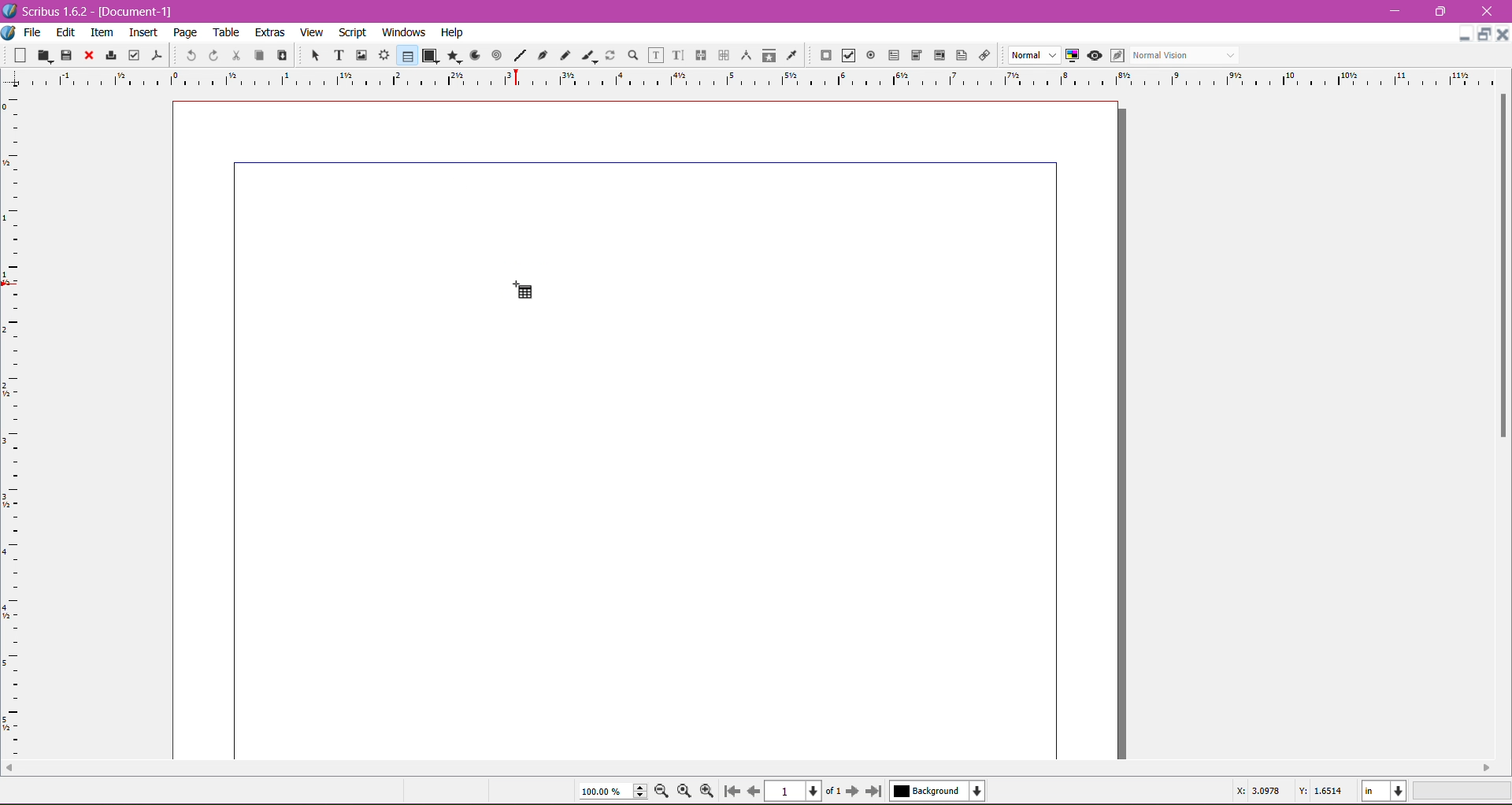  What do you see at coordinates (832, 789) in the screenshot?
I see `of 1` at bounding box center [832, 789].